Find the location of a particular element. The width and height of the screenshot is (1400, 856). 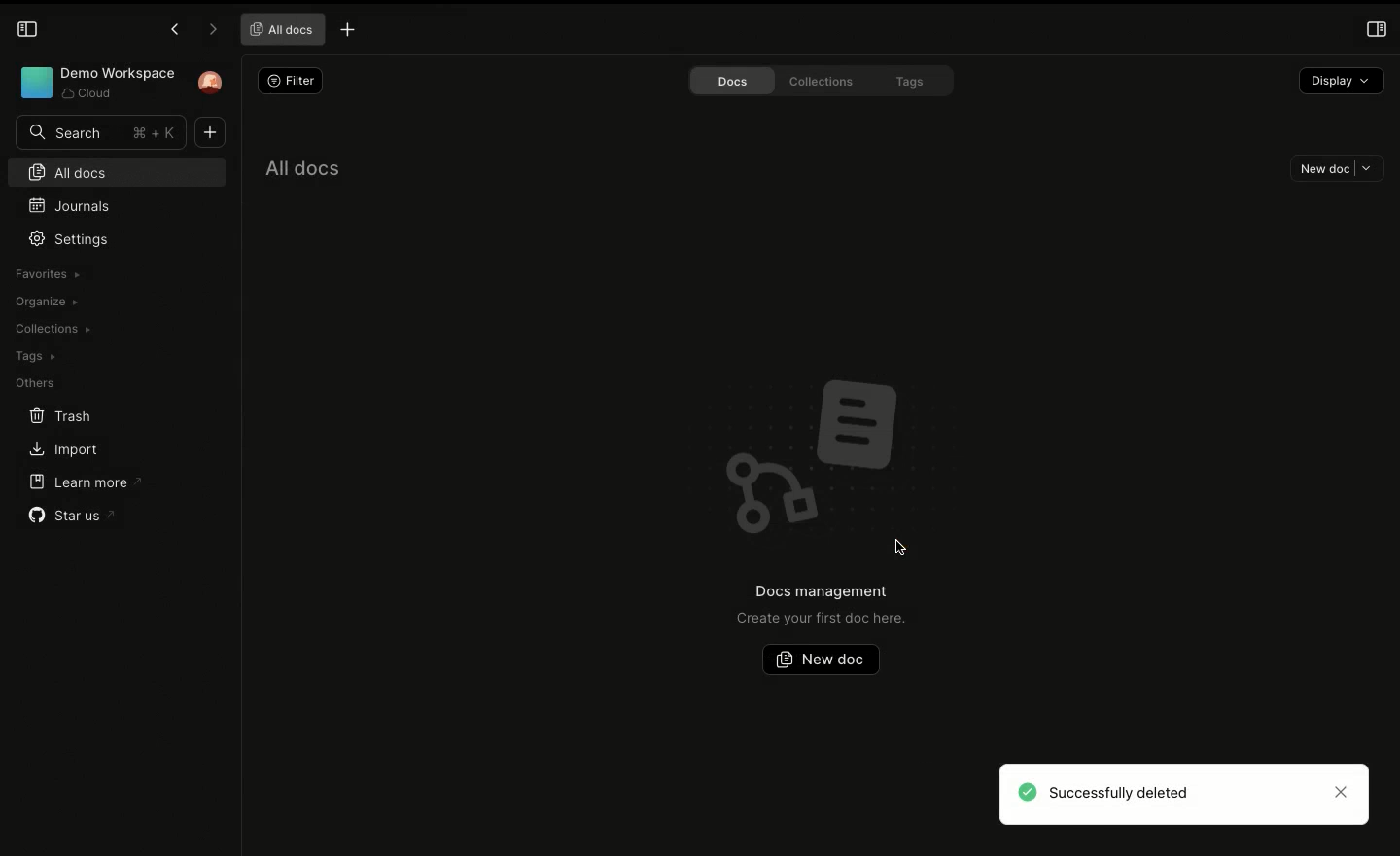

Settings is located at coordinates (74, 239).